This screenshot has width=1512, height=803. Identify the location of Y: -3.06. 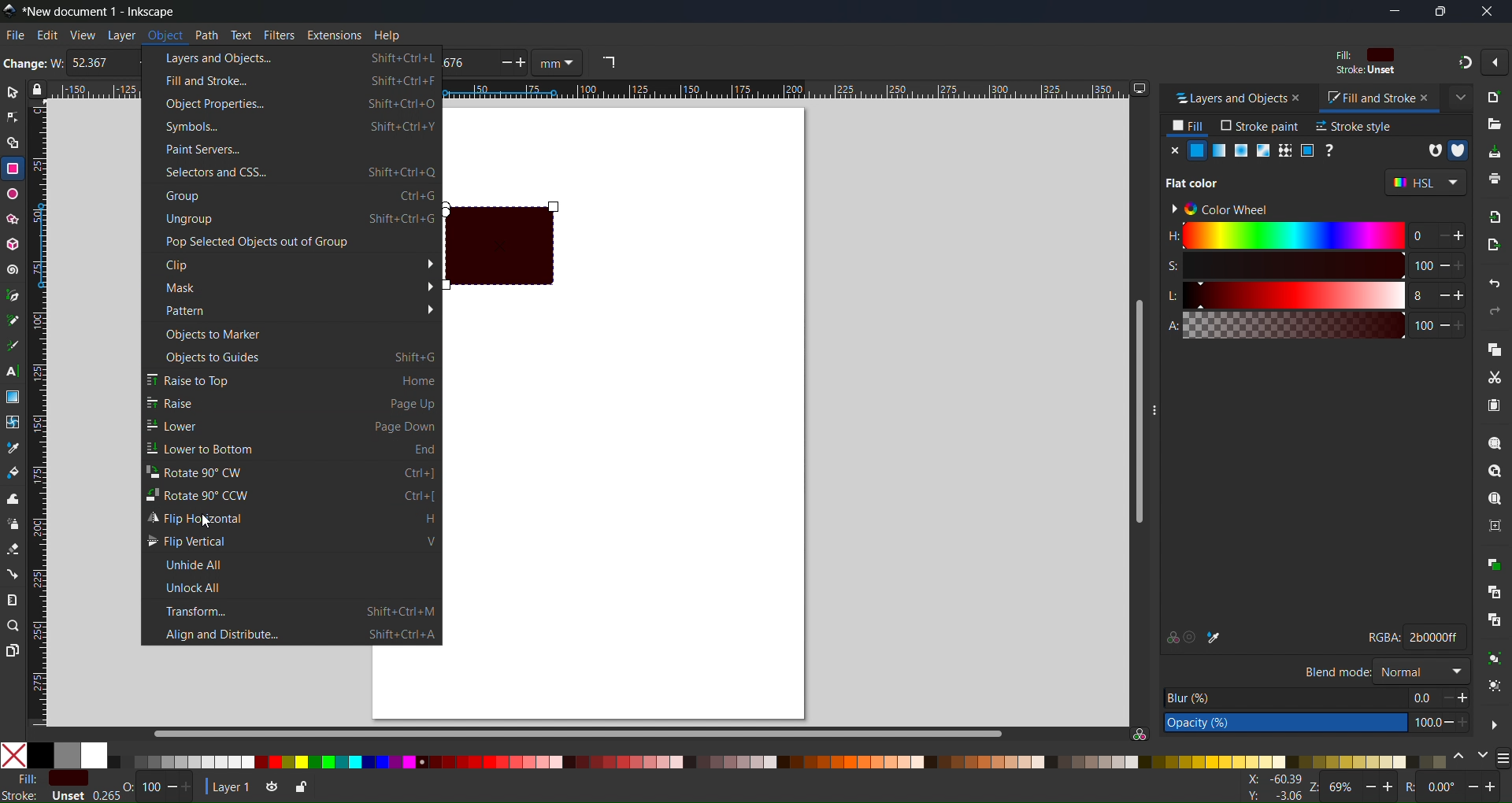
(1272, 796).